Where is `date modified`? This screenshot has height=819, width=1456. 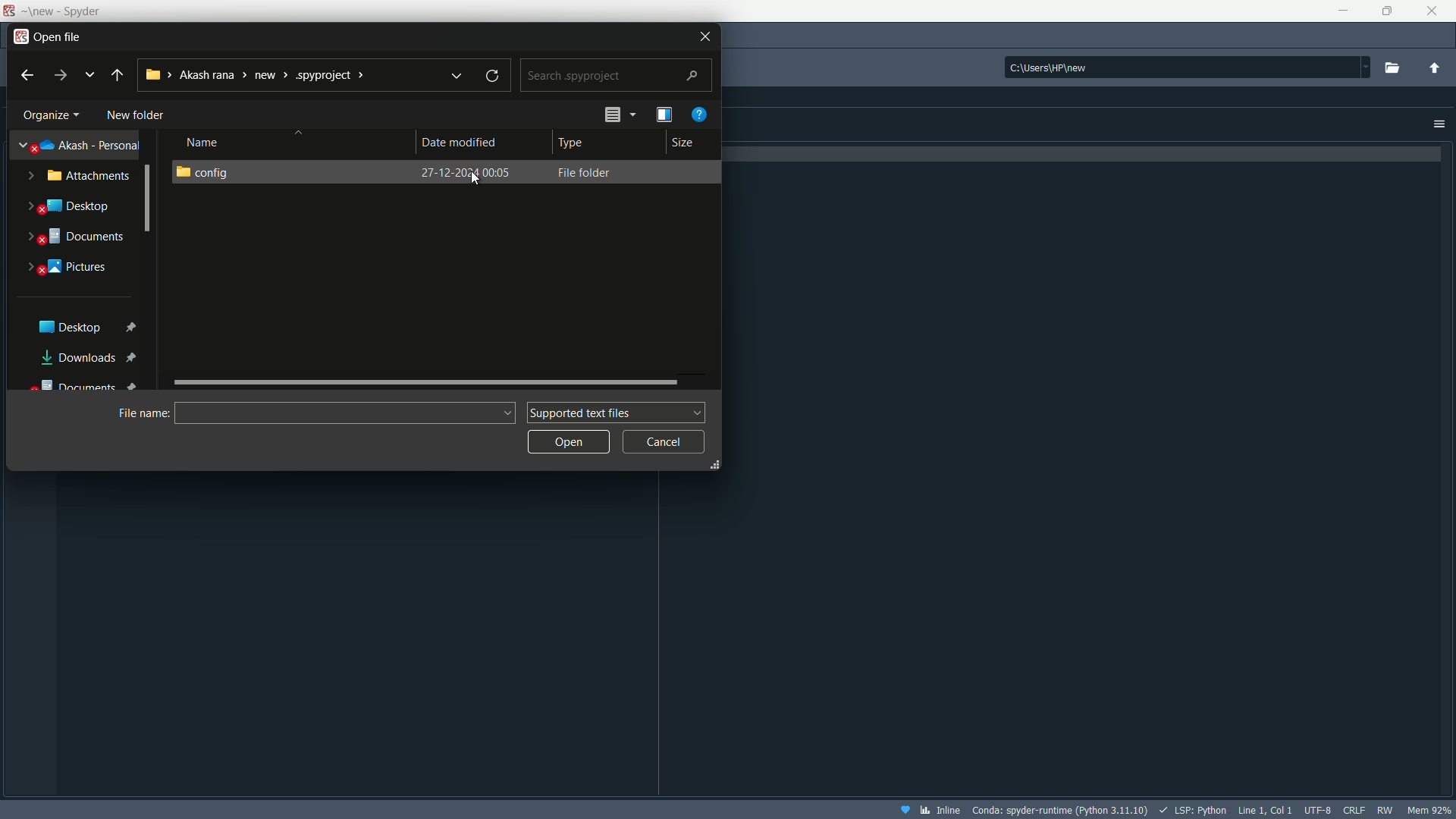 date modified is located at coordinates (465, 144).